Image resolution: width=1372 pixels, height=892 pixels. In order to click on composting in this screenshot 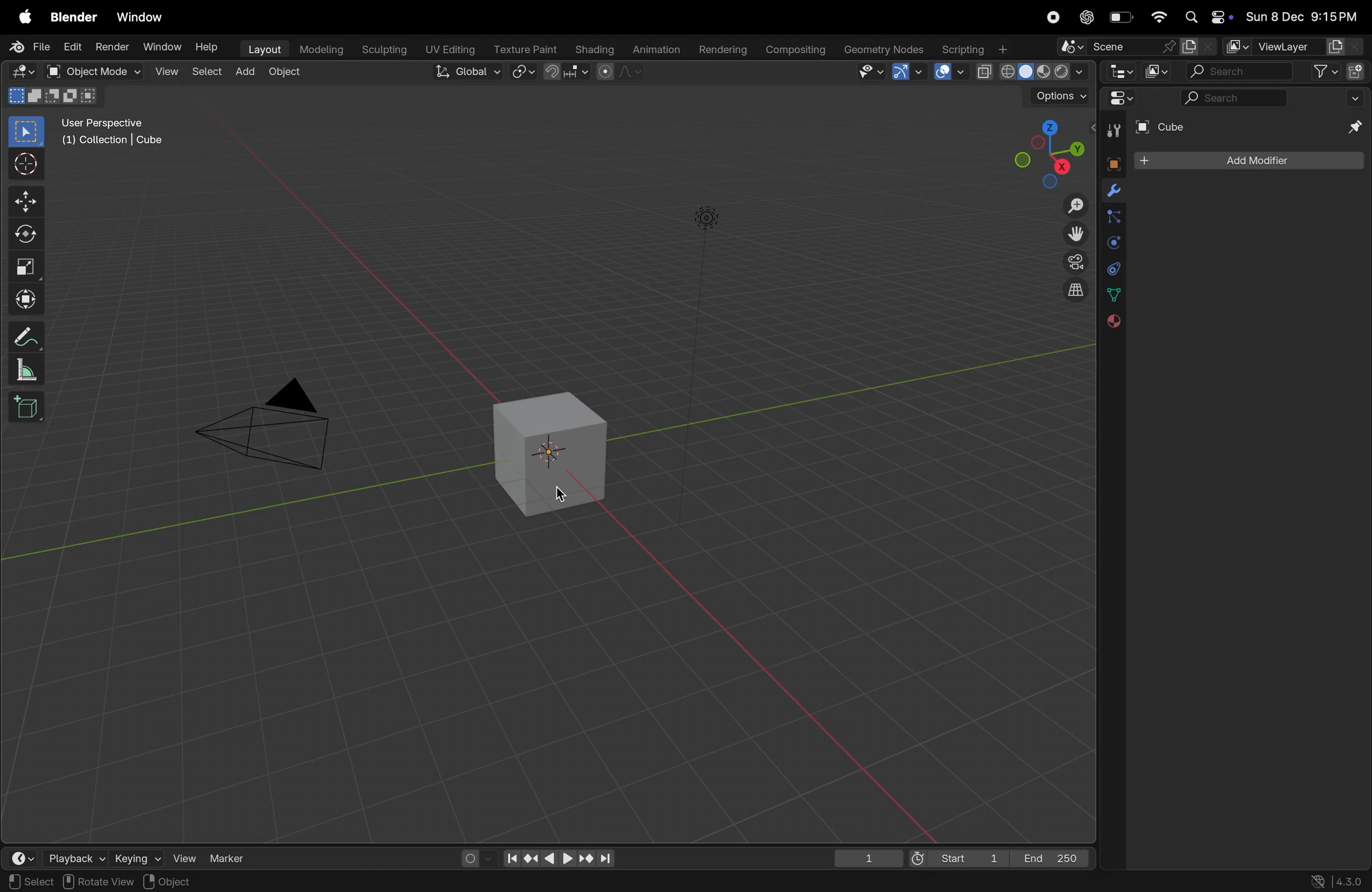, I will do `click(797, 50)`.